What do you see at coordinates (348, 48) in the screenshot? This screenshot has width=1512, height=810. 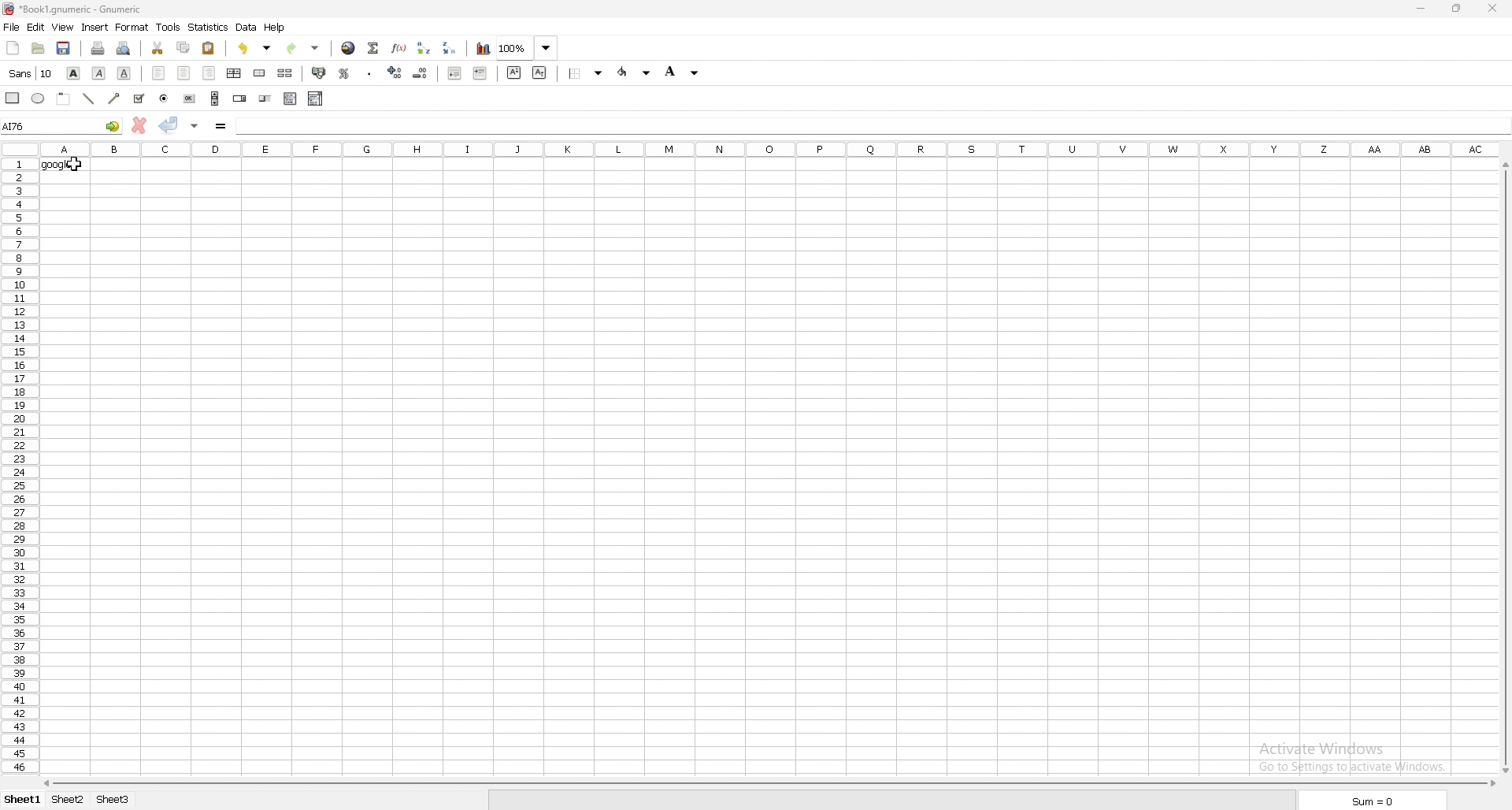 I see `hyperlink` at bounding box center [348, 48].